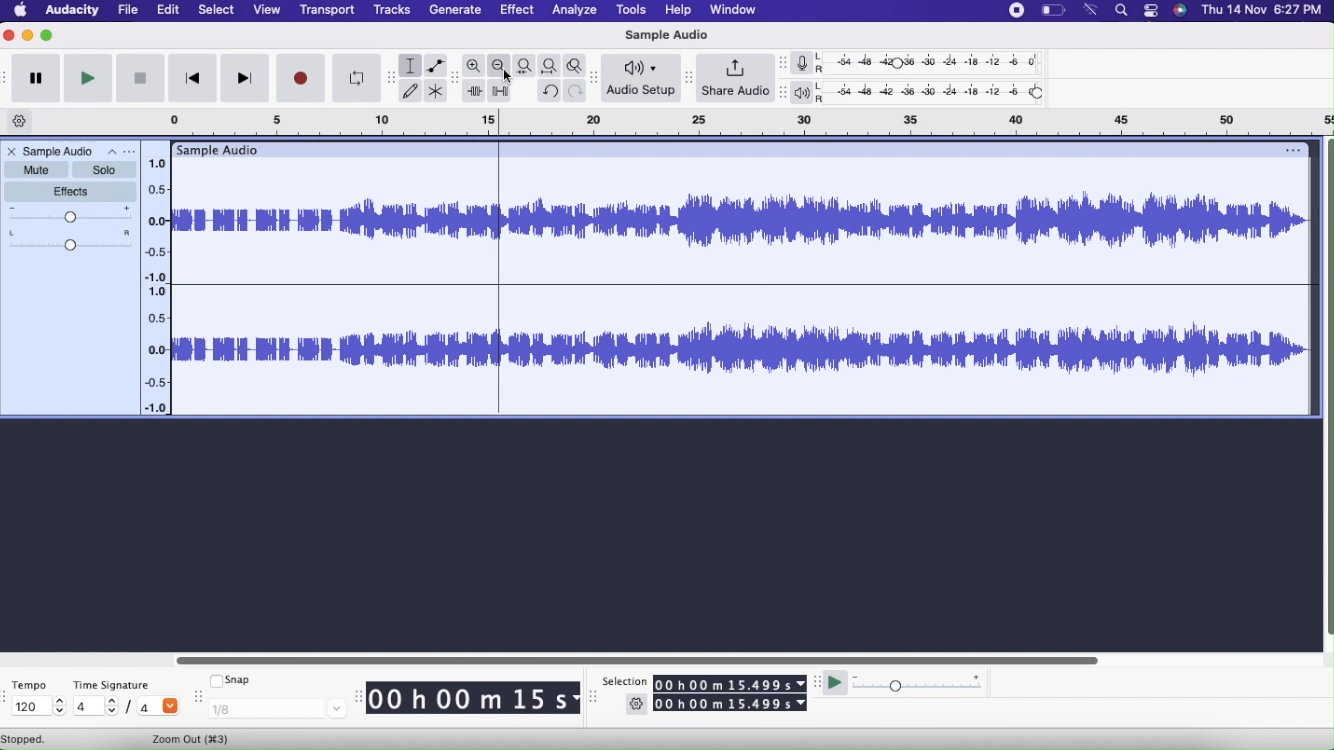 This screenshot has width=1334, height=750. Describe the element at coordinates (500, 65) in the screenshot. I see `Zoom Out` at that location.